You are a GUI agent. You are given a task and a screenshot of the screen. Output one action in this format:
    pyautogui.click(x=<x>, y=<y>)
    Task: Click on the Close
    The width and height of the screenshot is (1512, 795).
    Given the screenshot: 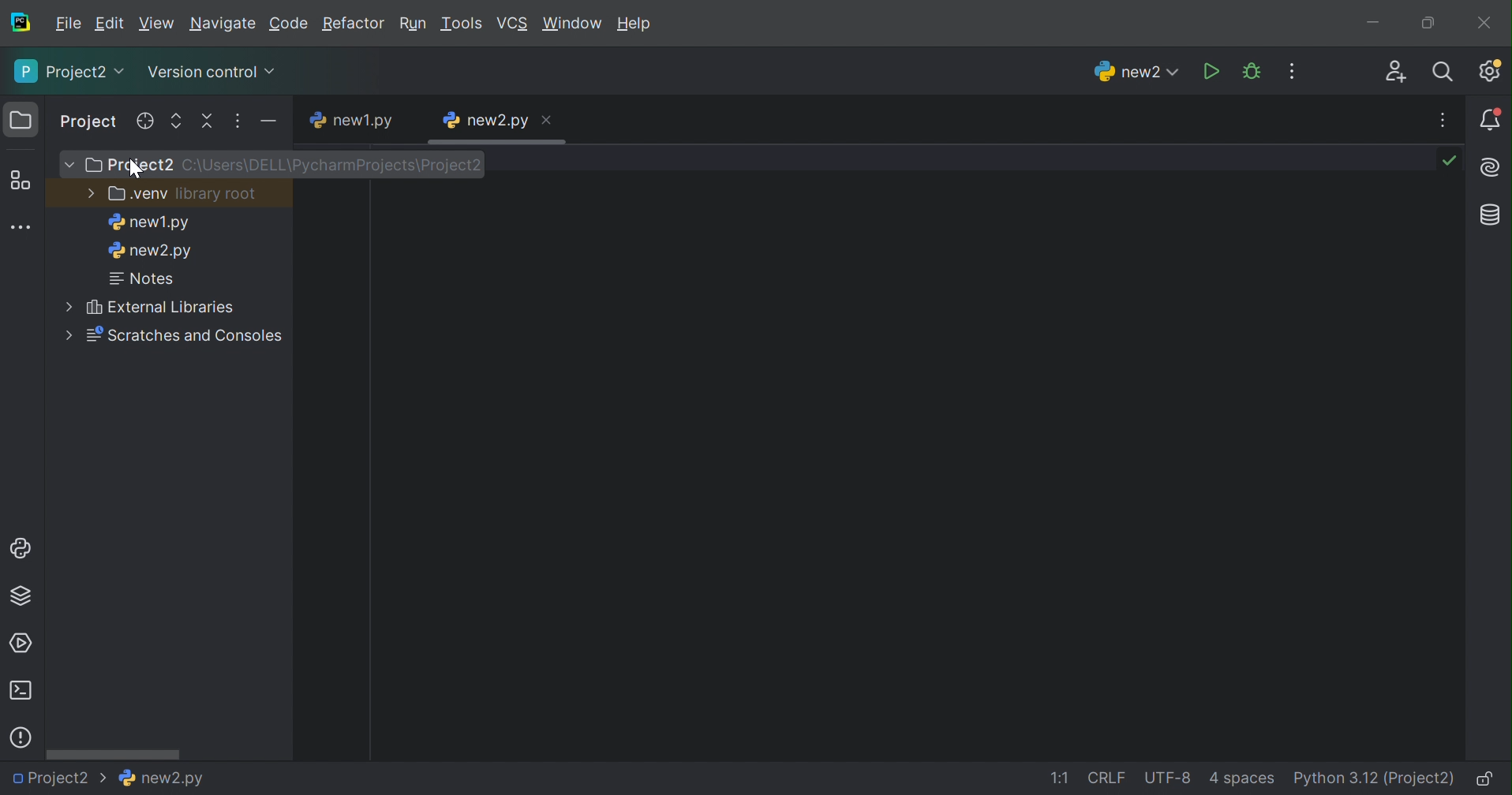 What is the action you would take?
    pyautogui.click(x=1486, y=22)
    